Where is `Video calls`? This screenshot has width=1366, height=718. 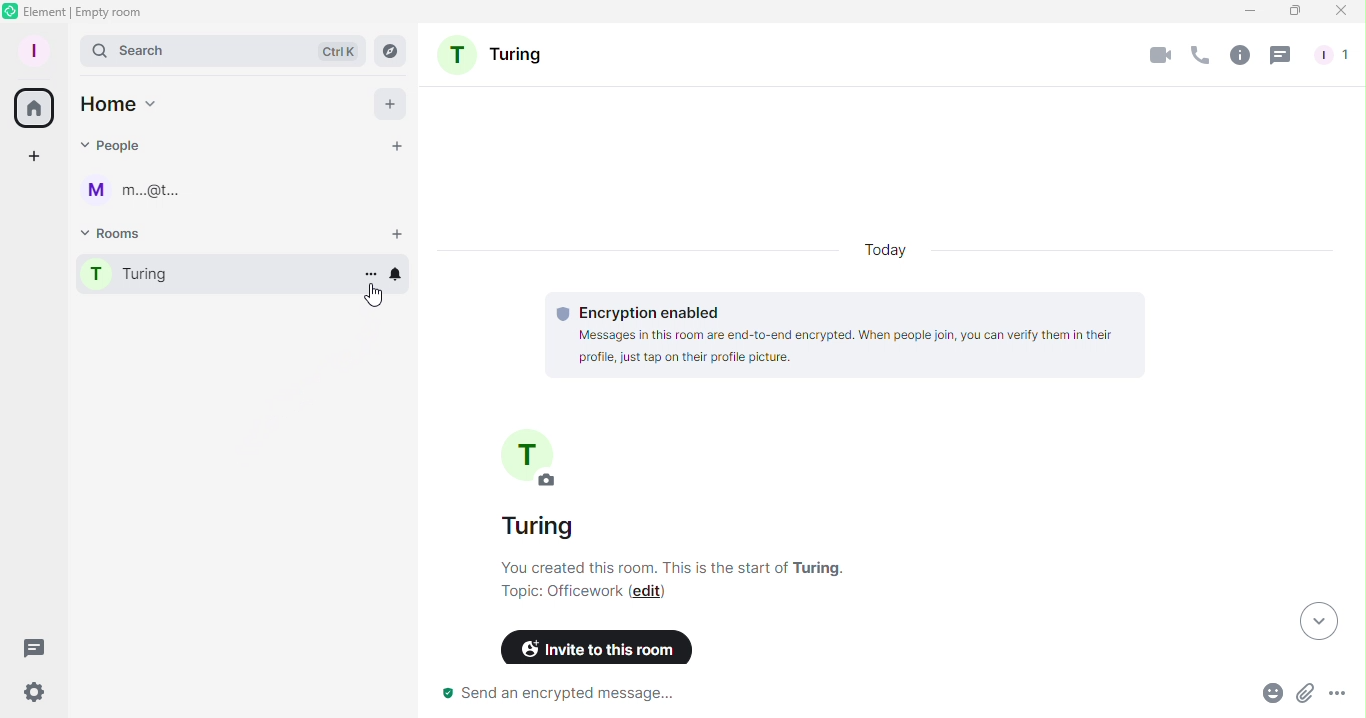 Video calls is located at coordinates (1160, 58).